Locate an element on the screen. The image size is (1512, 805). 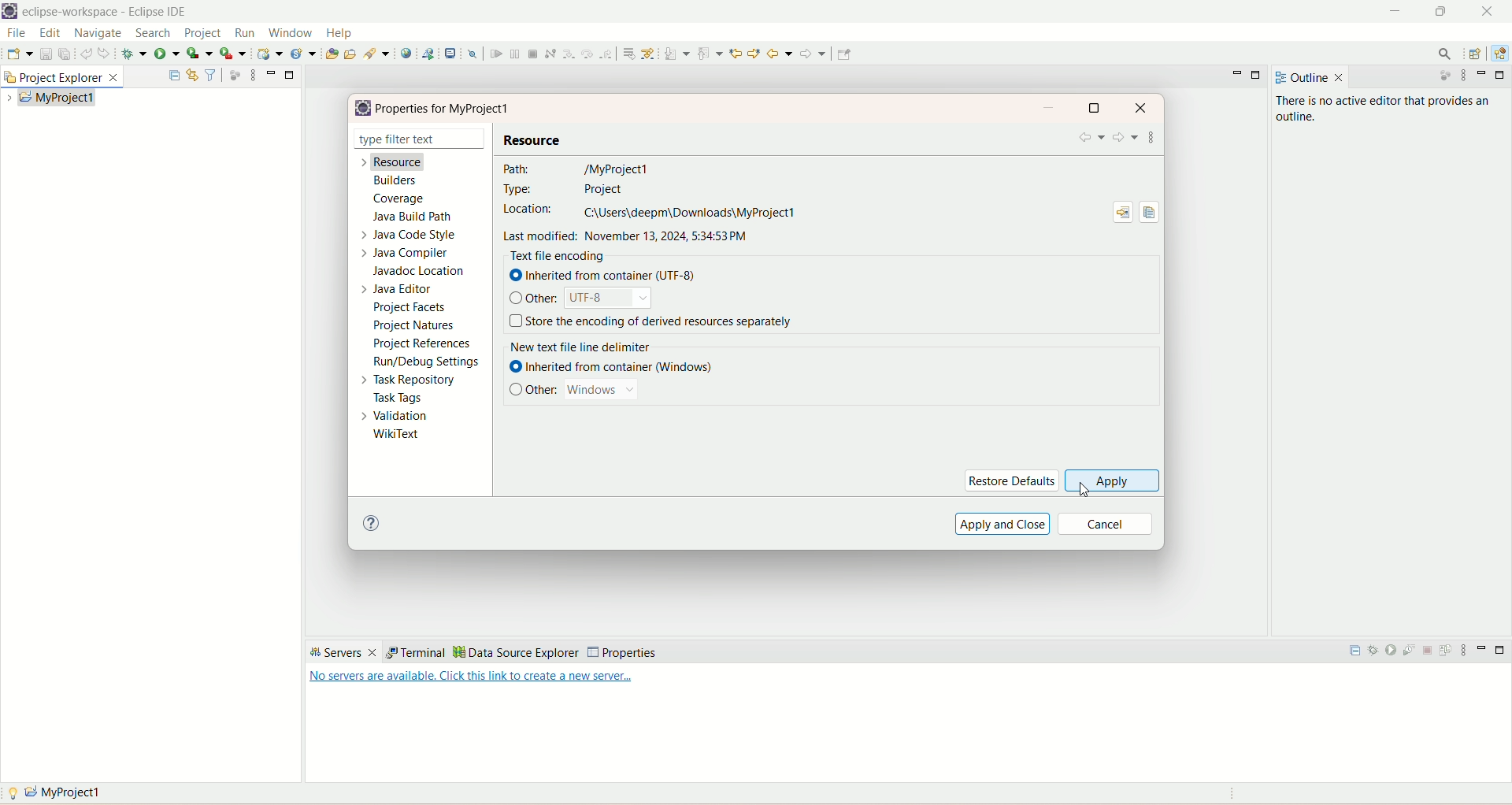
java EE is located at coordinates (1501, 53).